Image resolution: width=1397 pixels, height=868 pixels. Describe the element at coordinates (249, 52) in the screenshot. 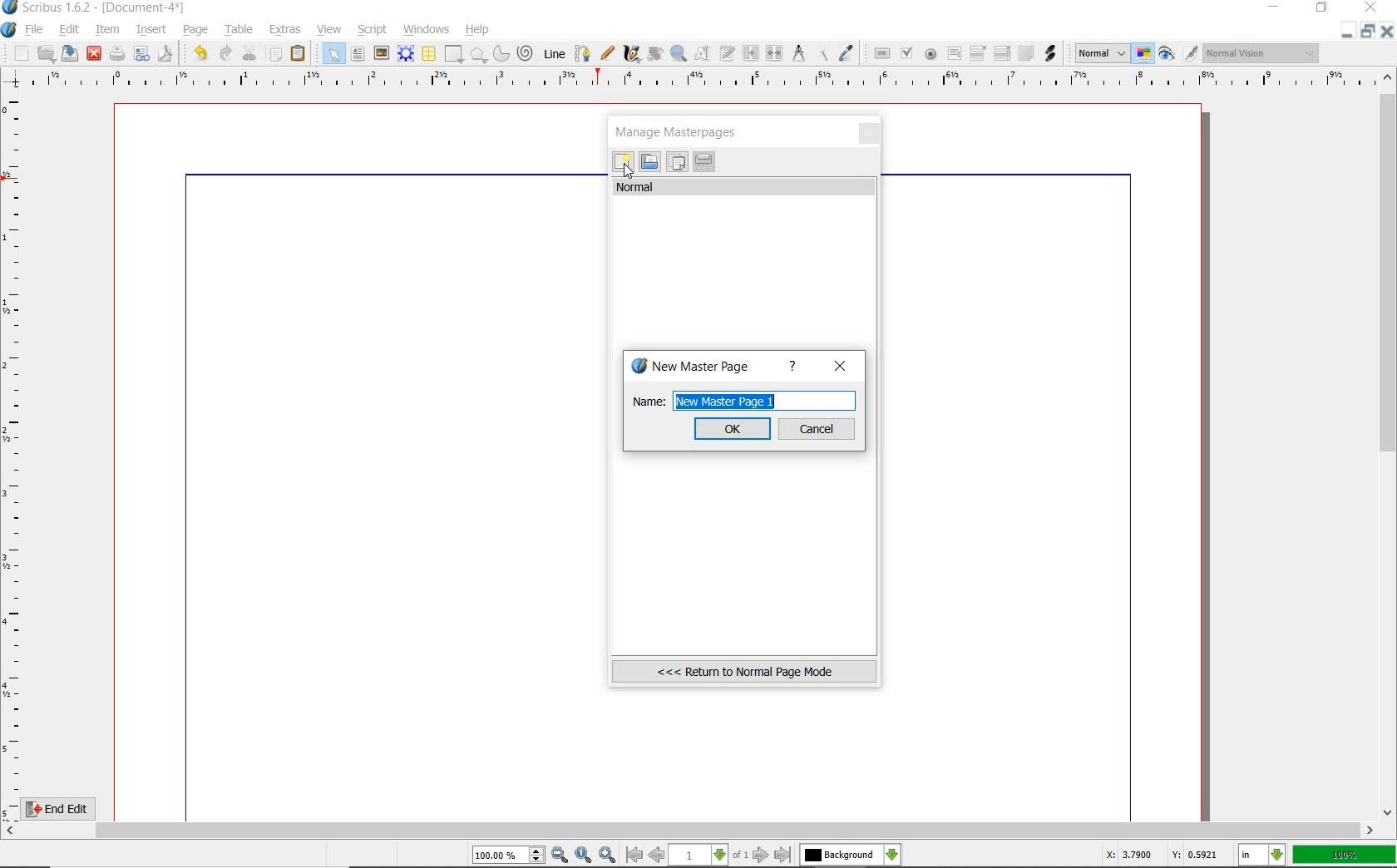

I see `cut` at that location.